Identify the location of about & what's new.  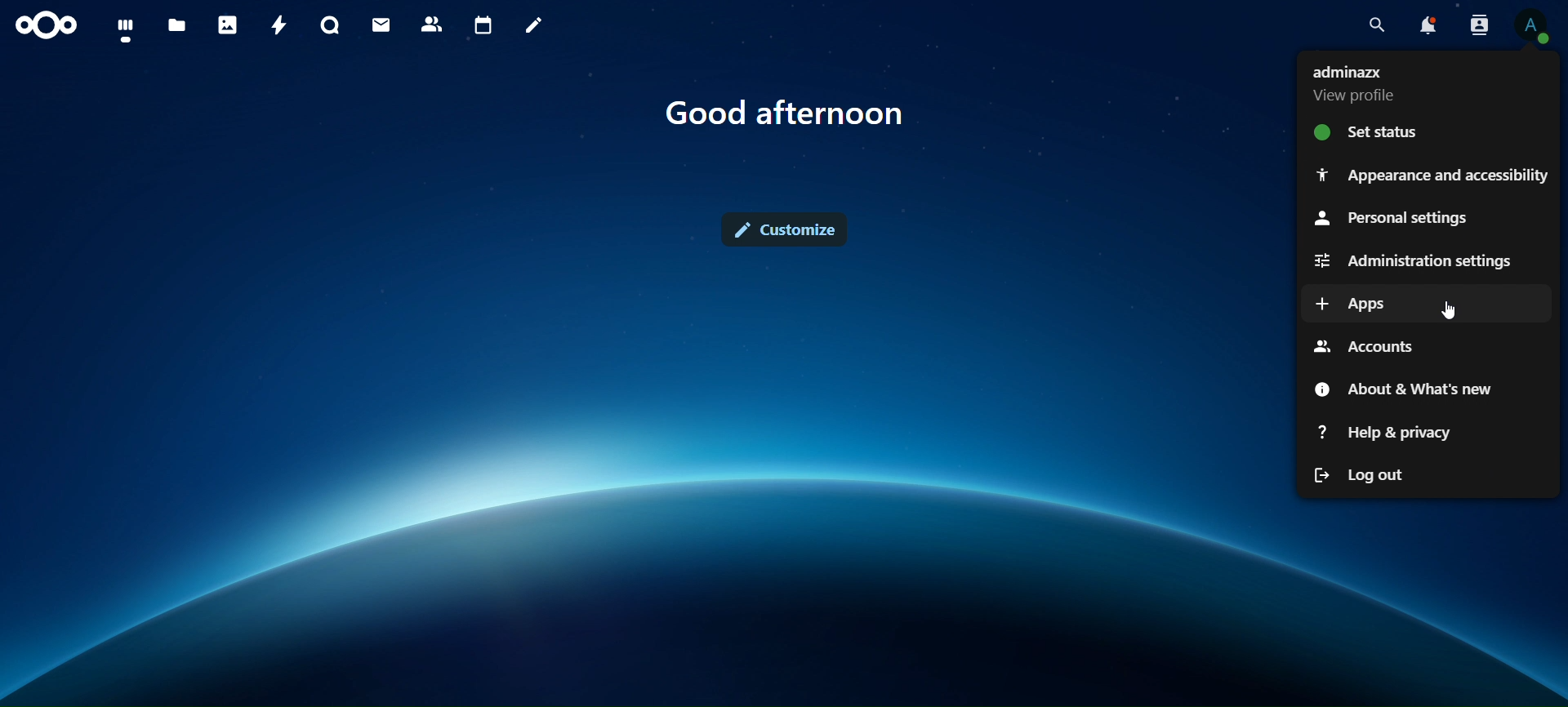
(1408, 389).